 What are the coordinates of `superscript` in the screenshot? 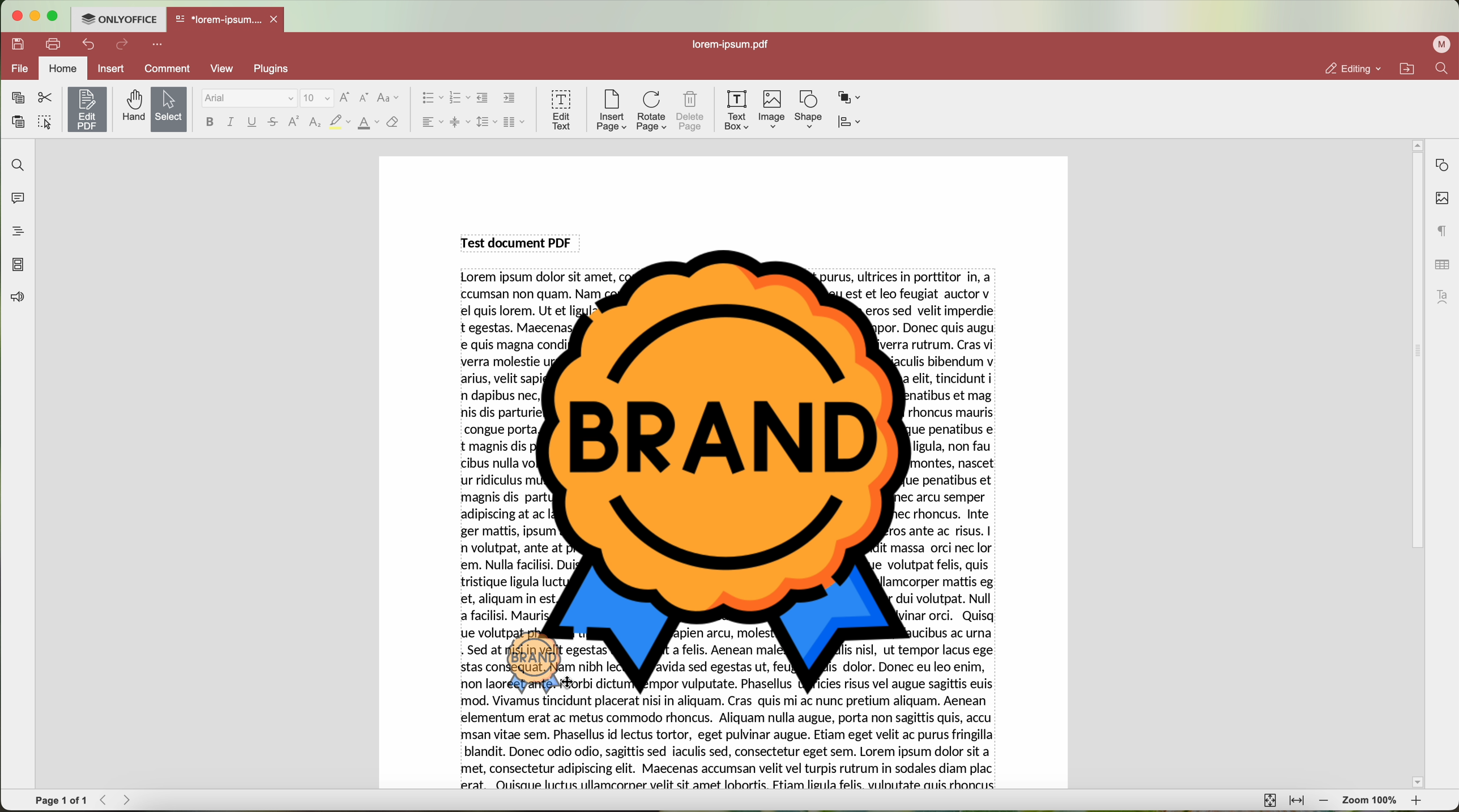 It's located at (295, 121).